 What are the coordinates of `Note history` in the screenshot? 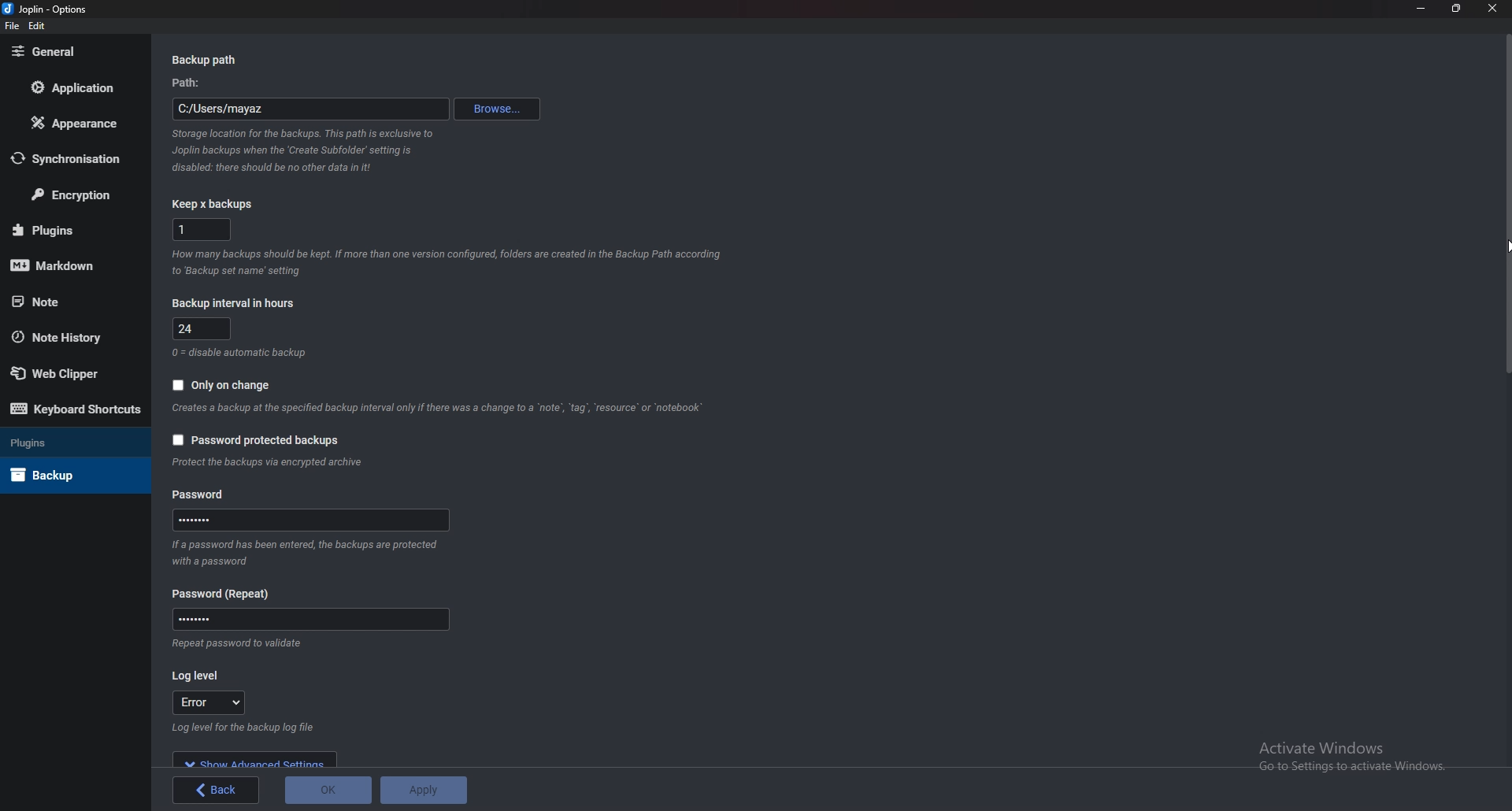 It's located at (64, 336).